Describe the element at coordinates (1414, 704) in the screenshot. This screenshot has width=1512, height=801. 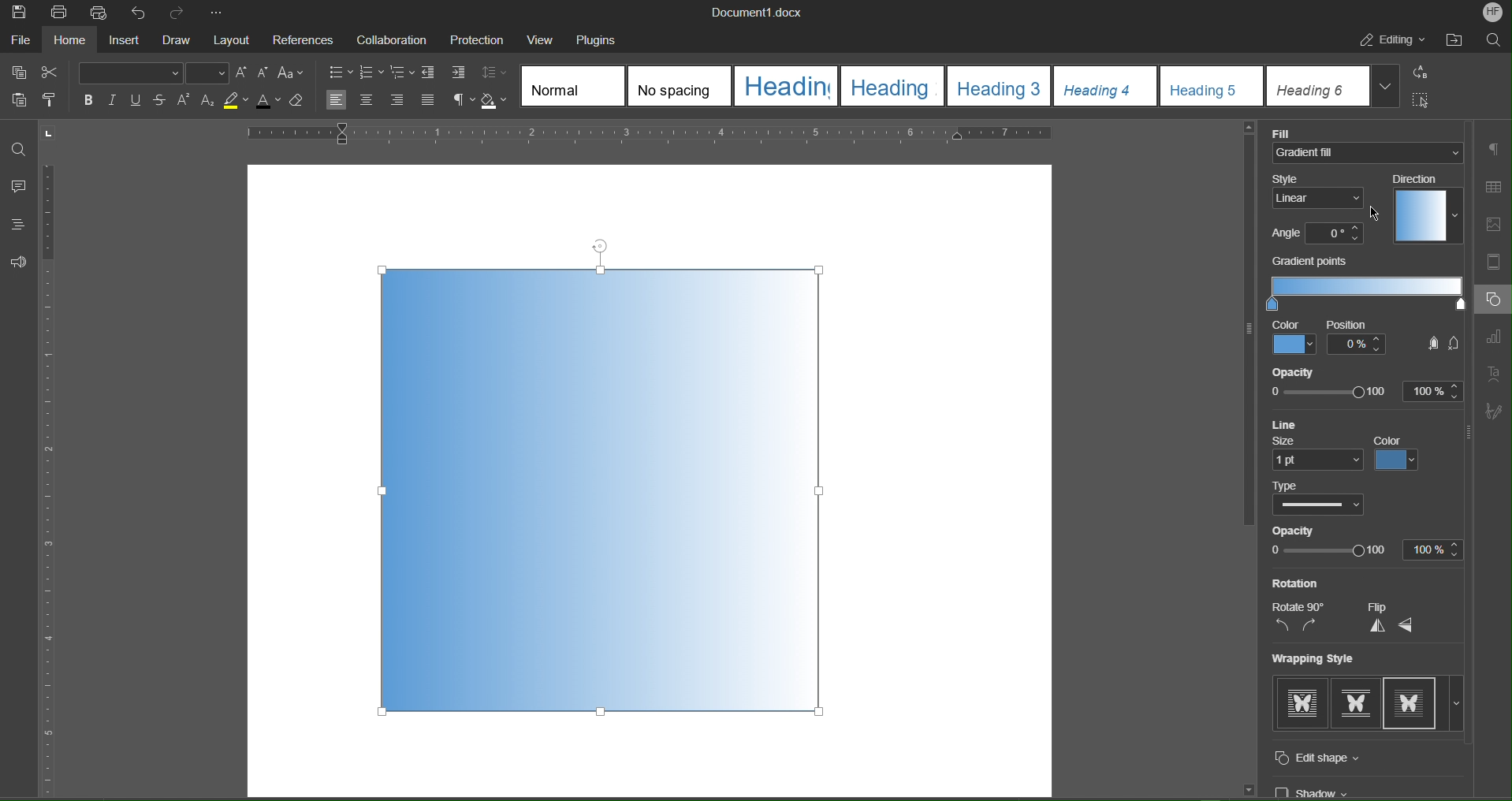
I see `Wrapping` at that location.